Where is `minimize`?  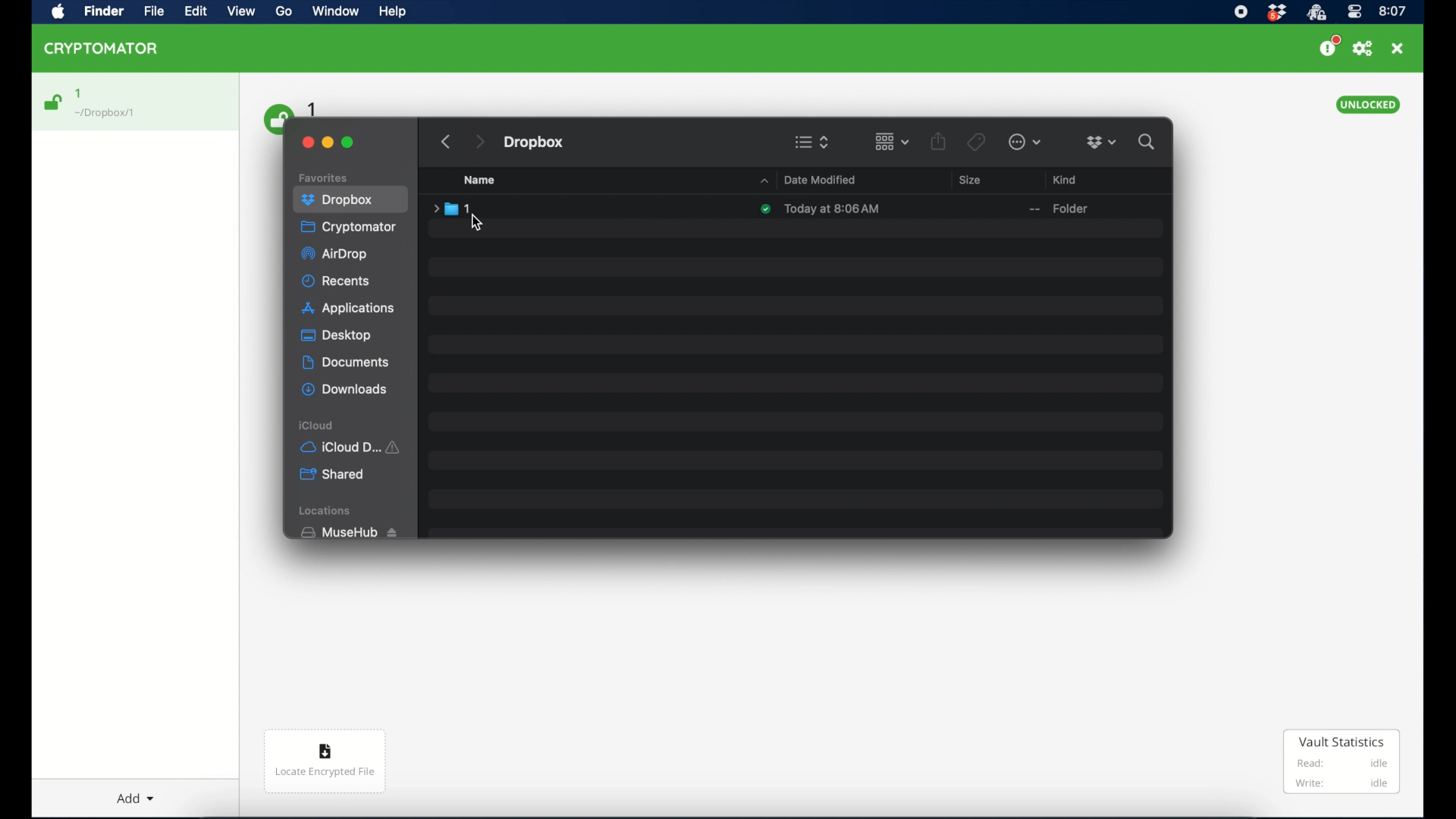 minimize is located at coordinates (329, 141).